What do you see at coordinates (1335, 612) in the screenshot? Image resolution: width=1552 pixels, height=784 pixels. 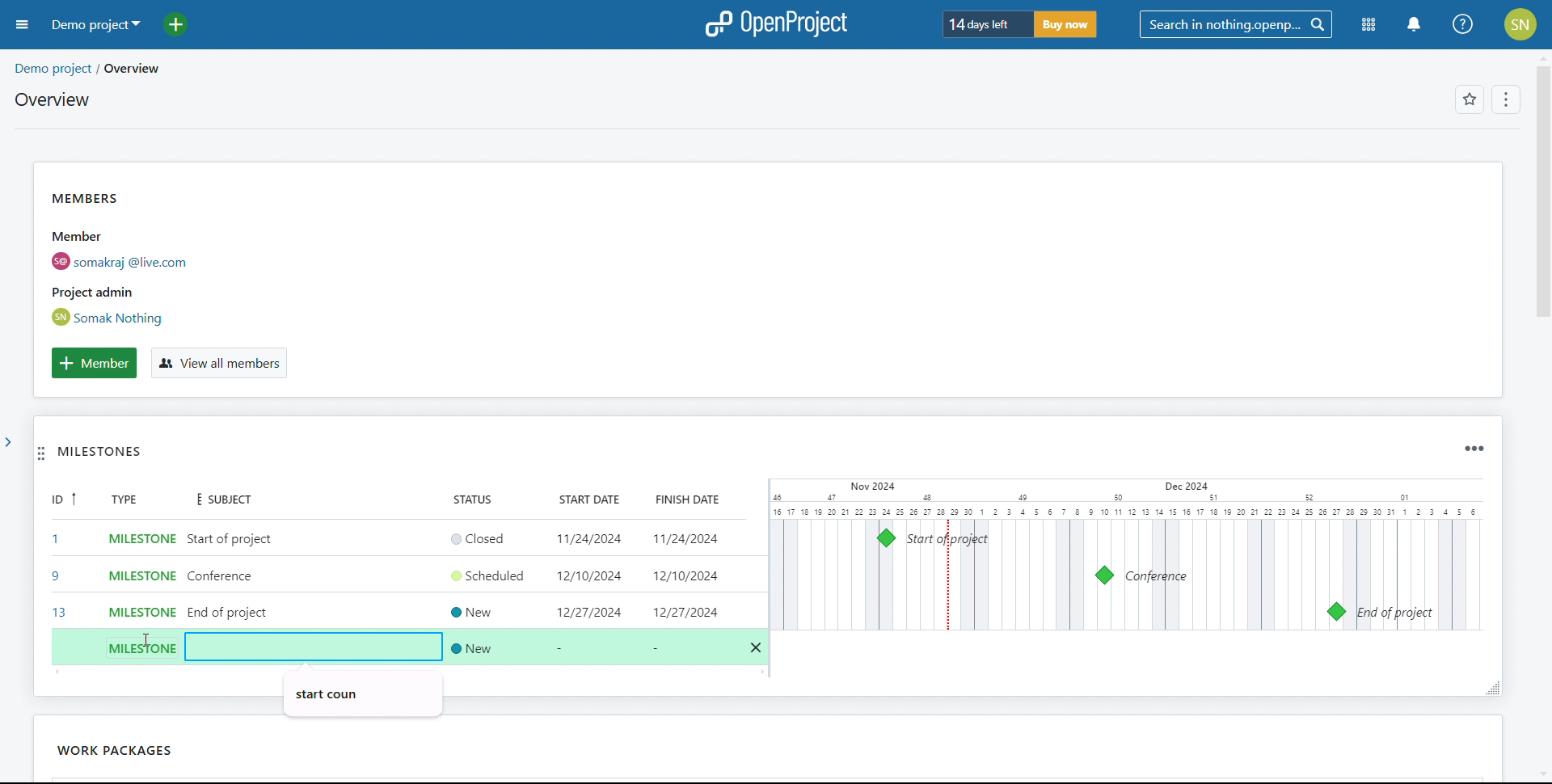 I see `milestone 13` at bounding box center [1335, 612].